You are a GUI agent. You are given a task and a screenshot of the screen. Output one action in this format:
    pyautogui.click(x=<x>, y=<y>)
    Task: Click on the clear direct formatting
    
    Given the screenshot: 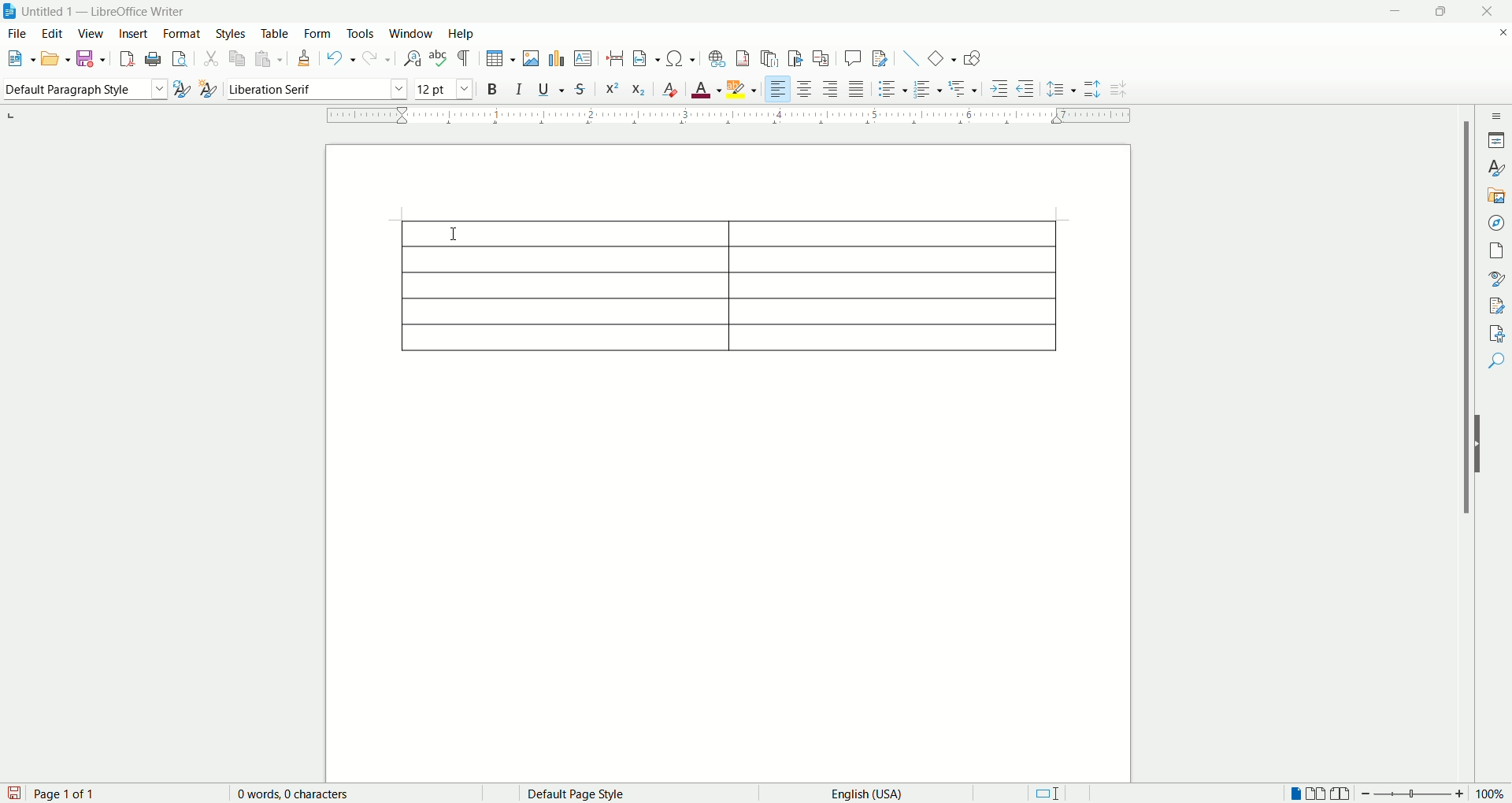 What is the action you would take?
    pyautogui.click(x=669, y=87)
    